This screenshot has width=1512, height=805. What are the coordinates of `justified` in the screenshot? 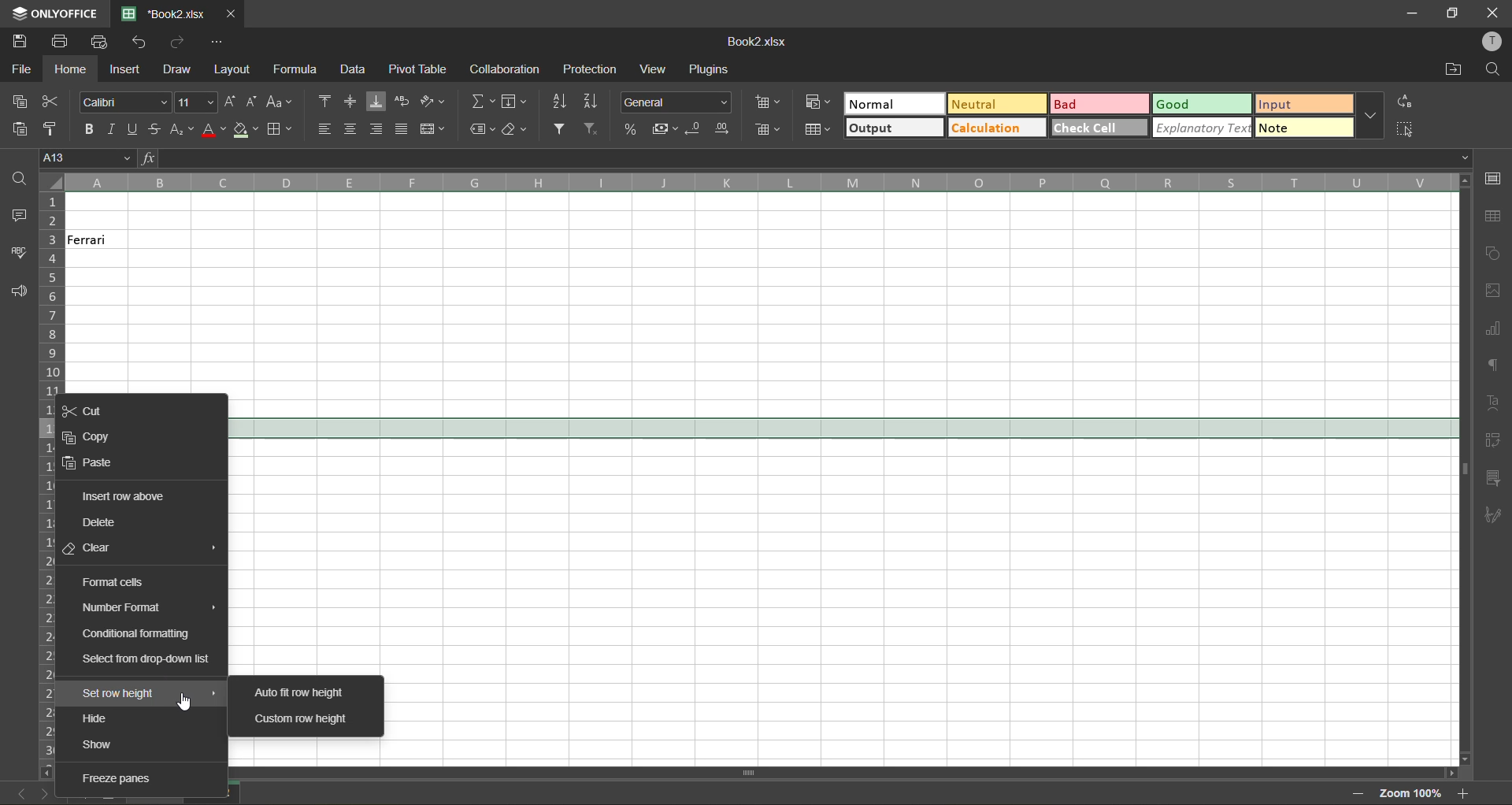 It's located at (402, 128).